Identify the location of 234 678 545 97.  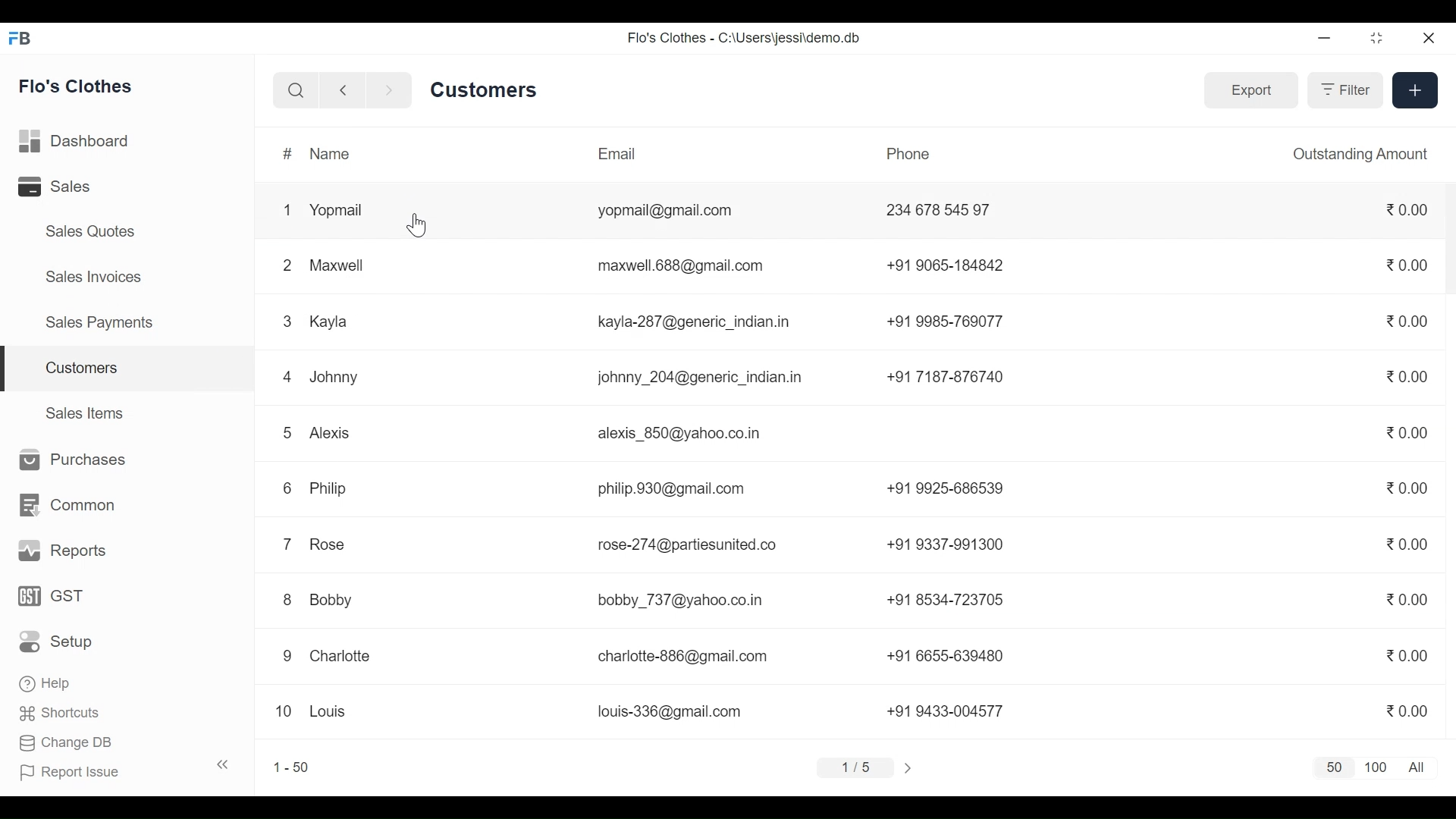
(940, 211).